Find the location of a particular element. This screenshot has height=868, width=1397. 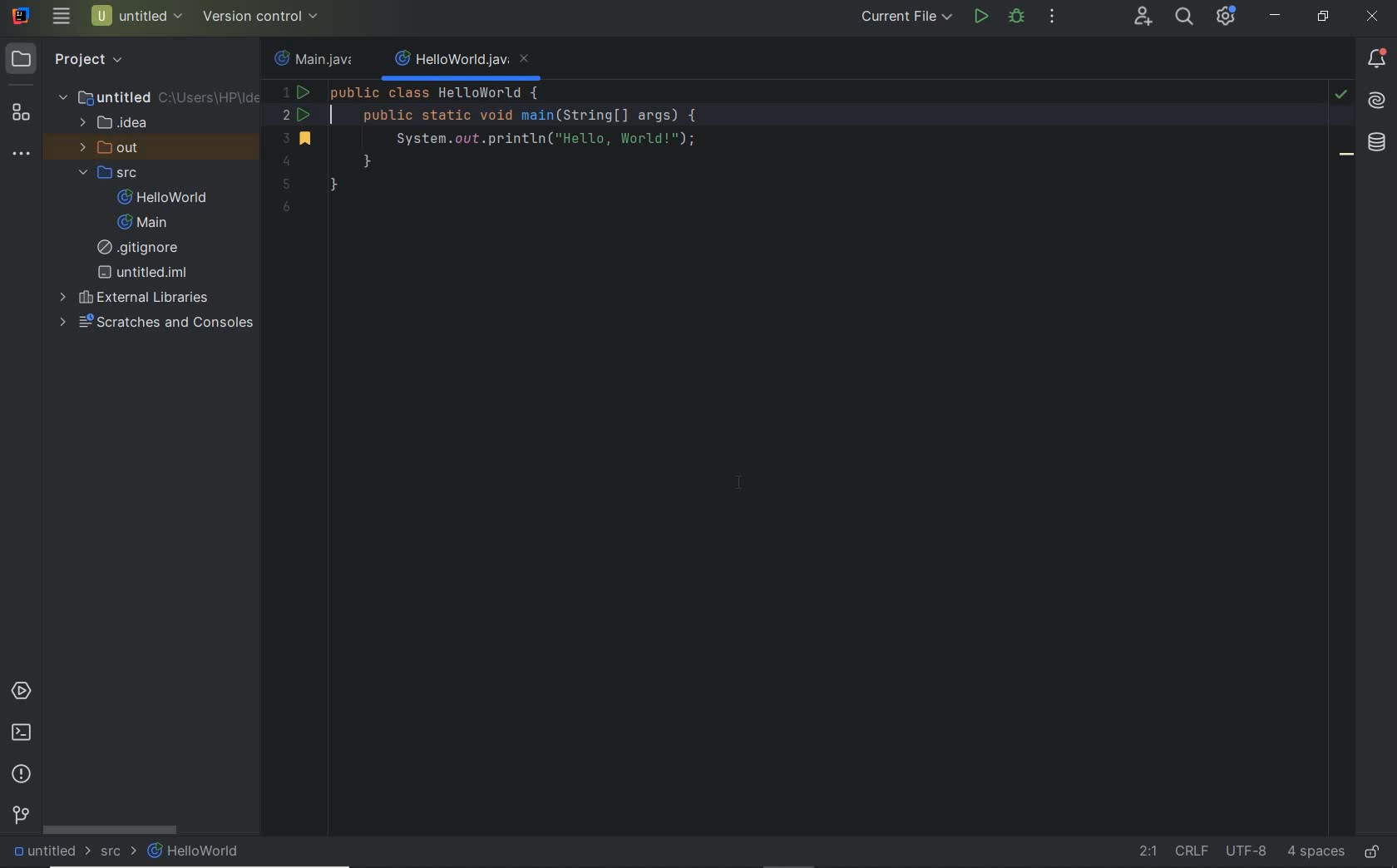

line separator is located at coordinates (1191, 850).